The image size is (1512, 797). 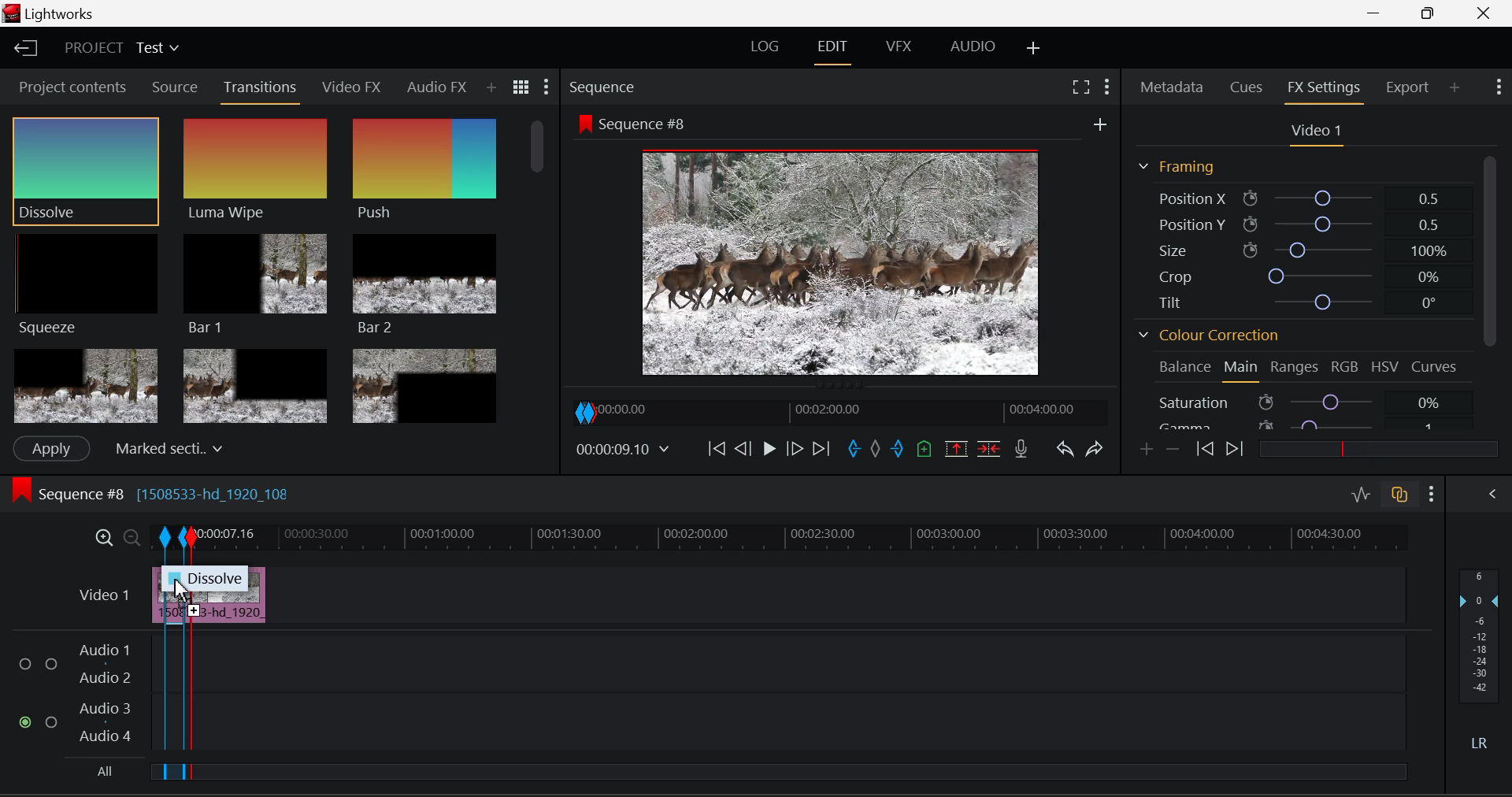 What do you see at coordinates (89, 287) in the screenshot?
I see `Squeeze` at bounding box center [89, 287].